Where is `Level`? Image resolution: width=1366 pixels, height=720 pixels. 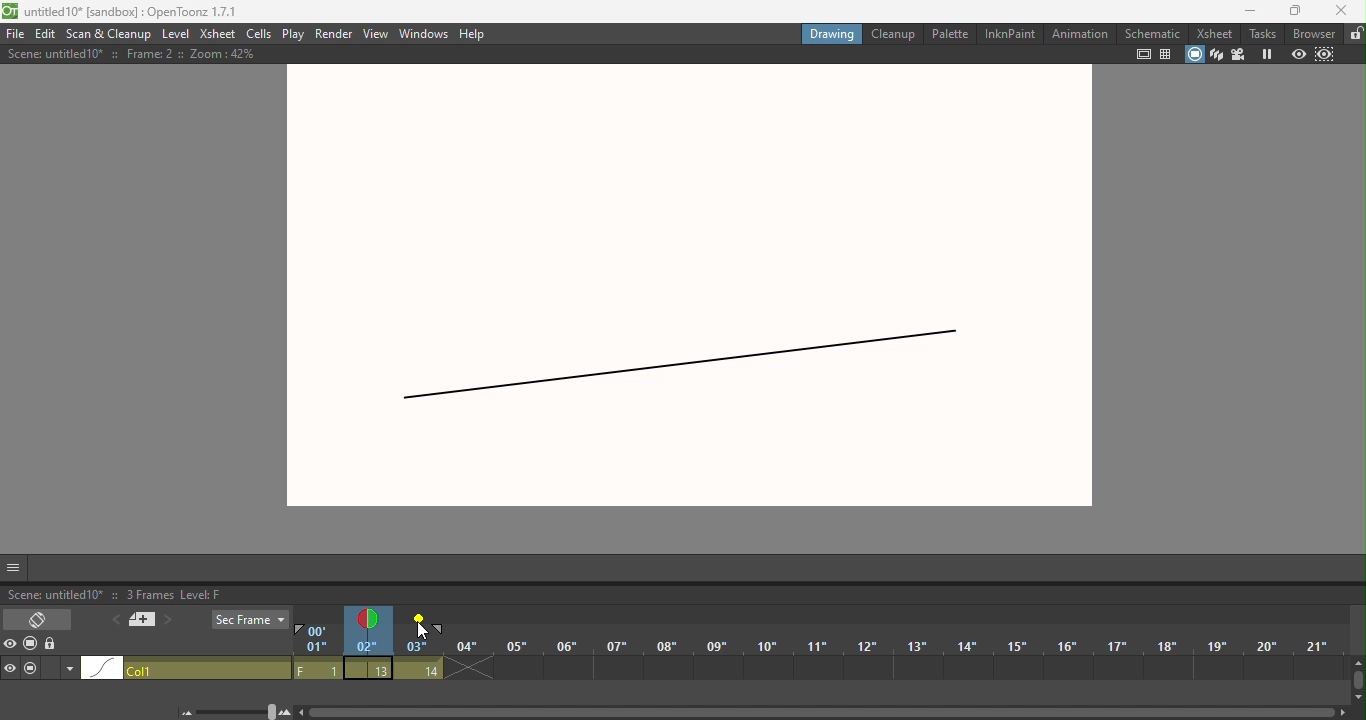 Level is located at coordinates (177, 35).